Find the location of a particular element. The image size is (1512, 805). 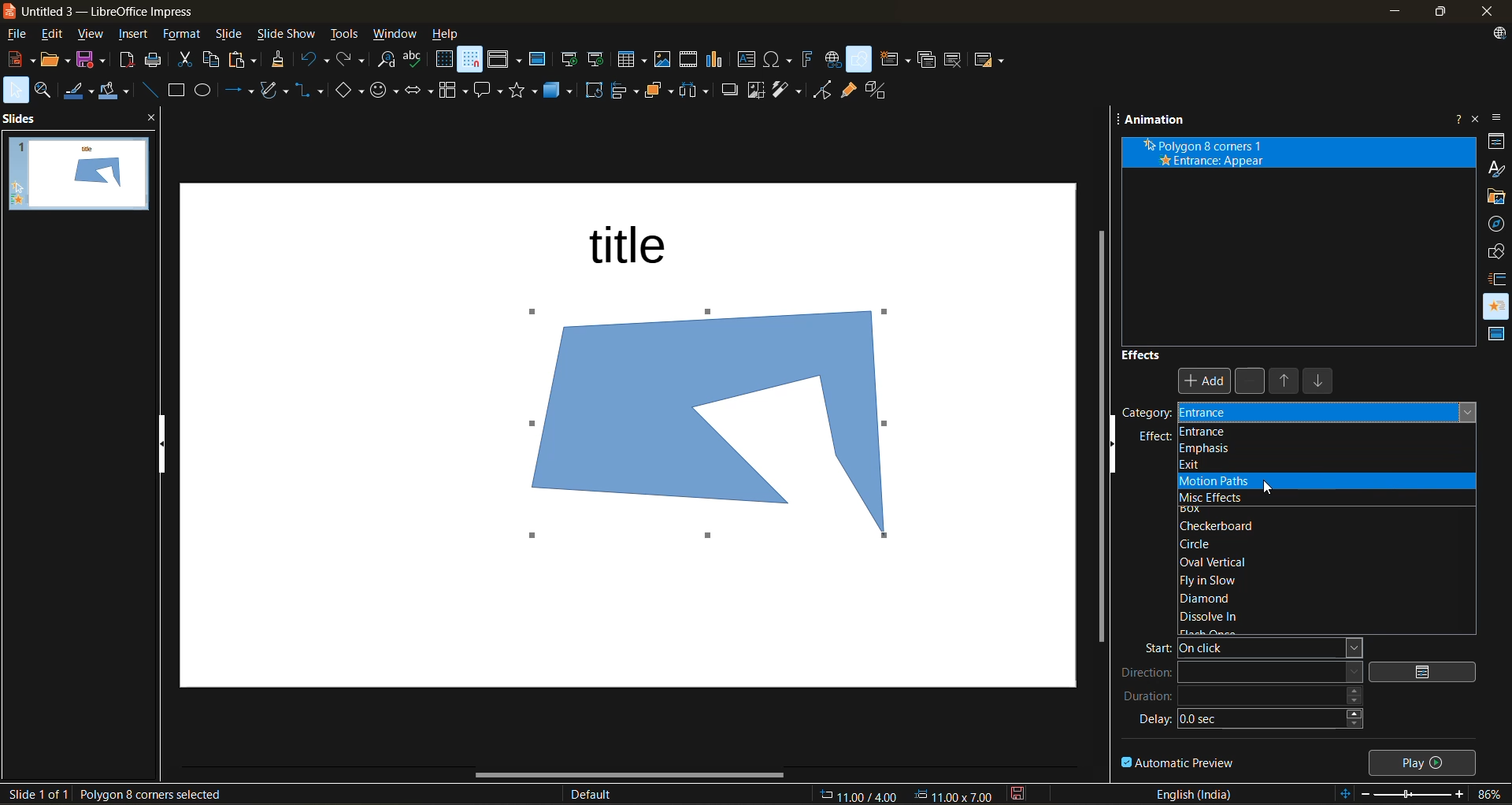

call out shapes is located at coordinates (491, 91).